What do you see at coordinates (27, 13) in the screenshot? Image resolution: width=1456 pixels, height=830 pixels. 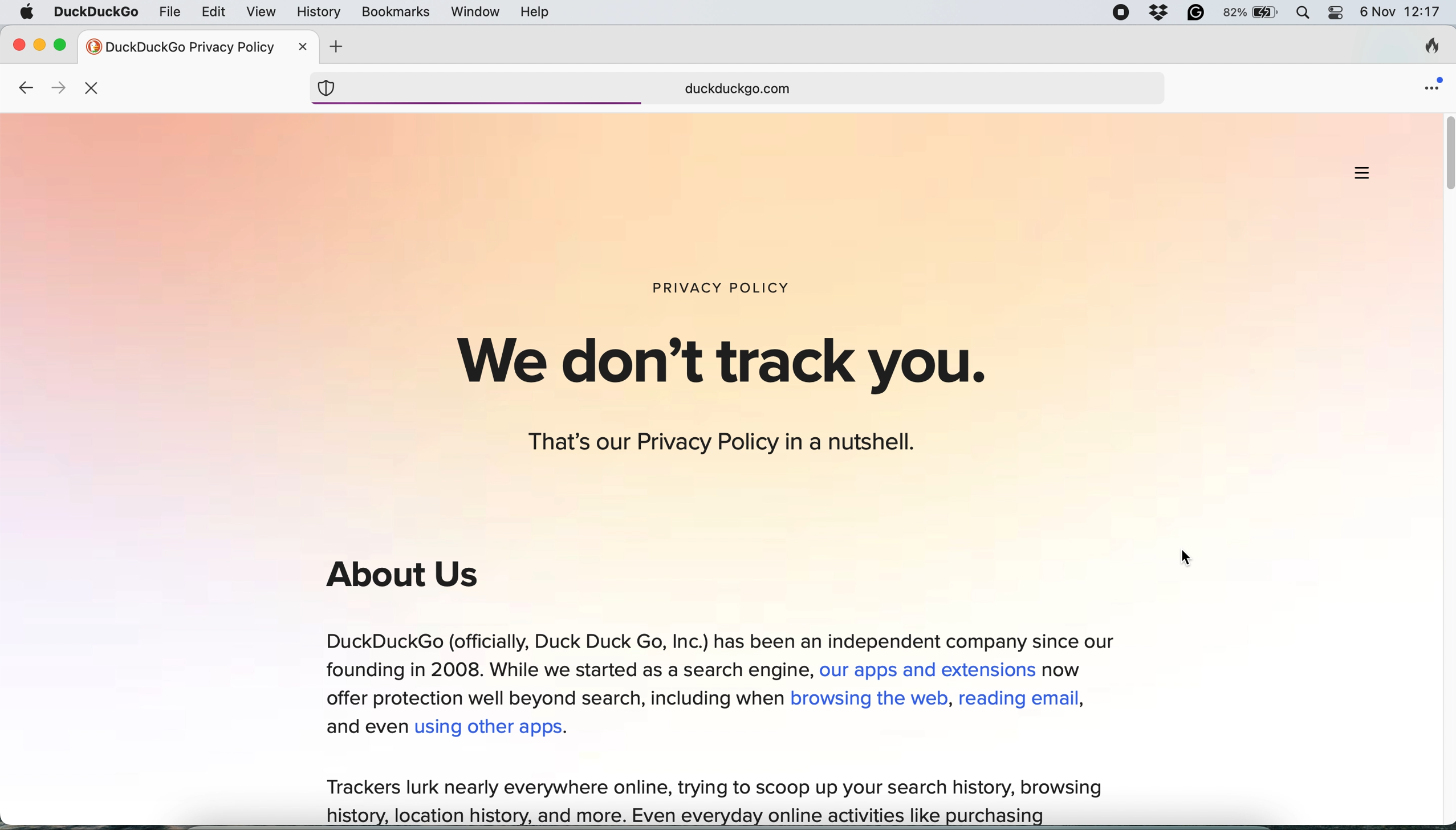 I see `system logo` at bounding box center [27, 13].